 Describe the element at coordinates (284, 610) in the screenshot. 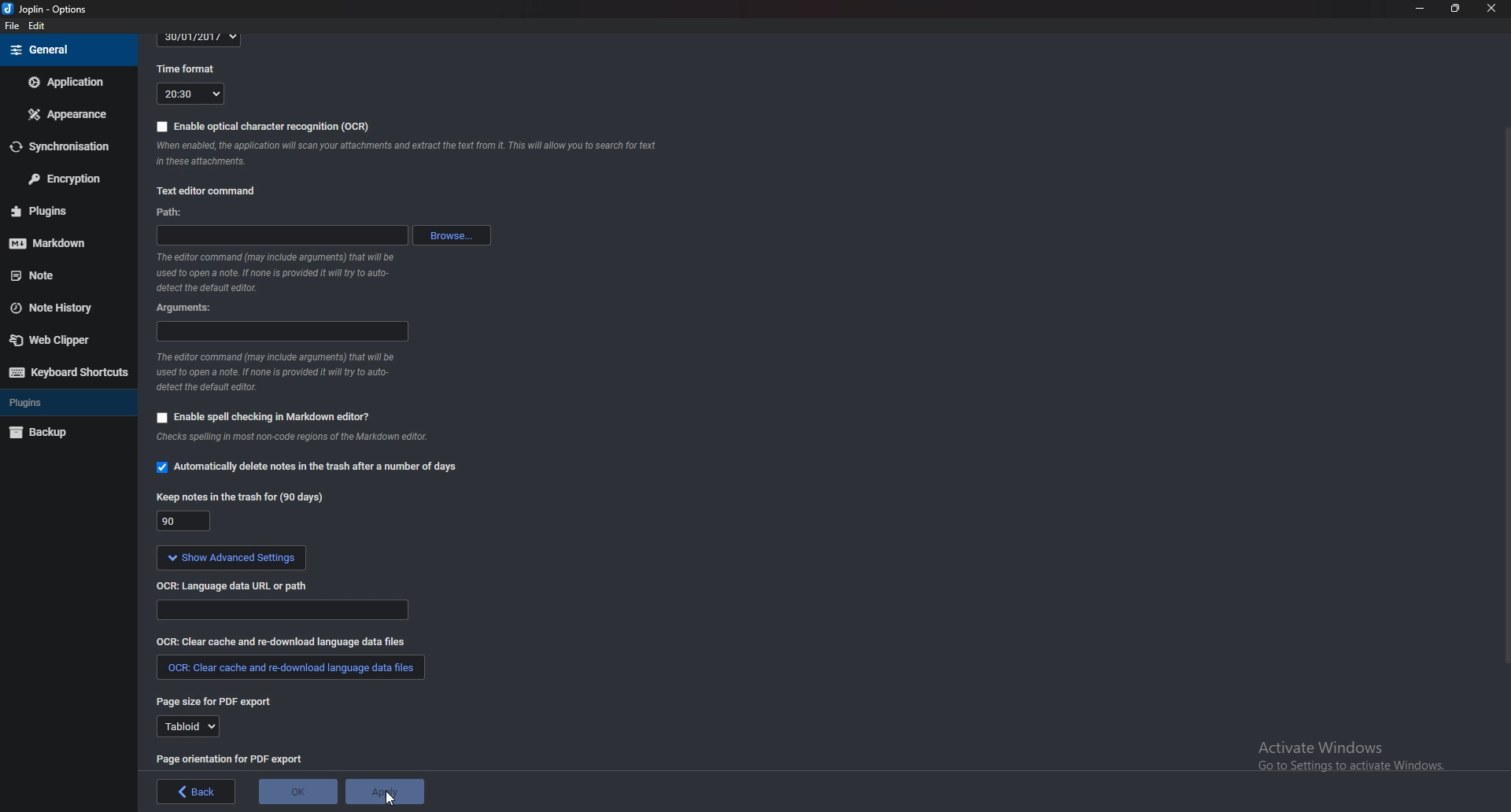

I see `Language data` at that location.